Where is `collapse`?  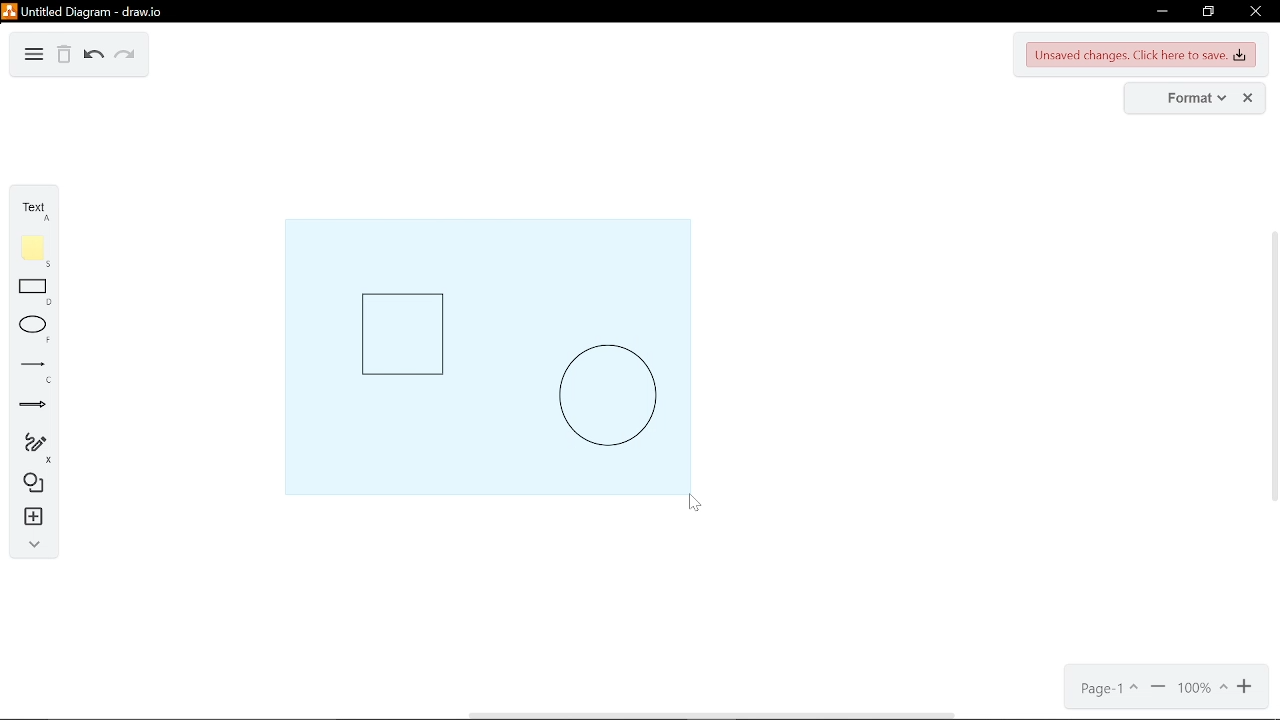
collapse is located at coordinates (28, 544).